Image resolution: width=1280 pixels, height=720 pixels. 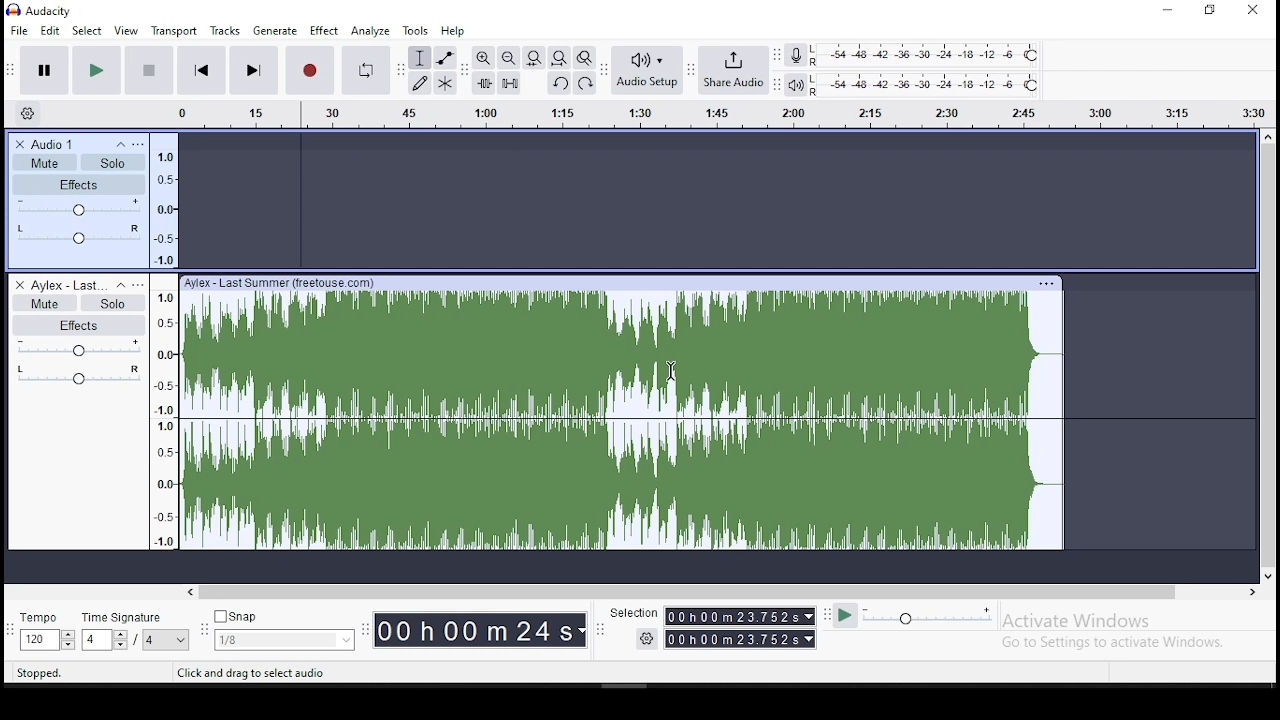 I want to click on audio , so click(x=65, y=284).